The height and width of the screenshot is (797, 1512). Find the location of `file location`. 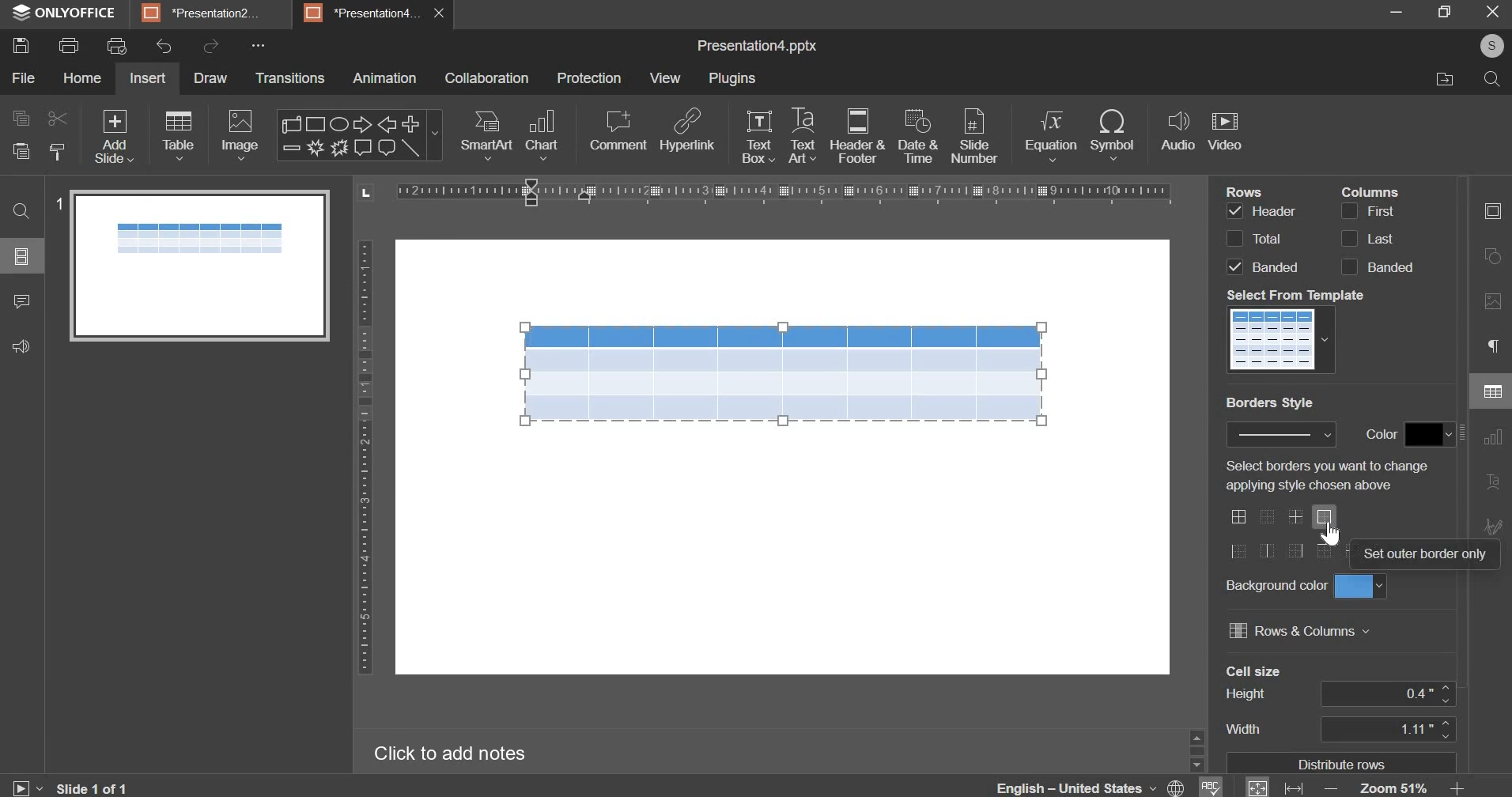

file location is located at coordinates (1442, 81).